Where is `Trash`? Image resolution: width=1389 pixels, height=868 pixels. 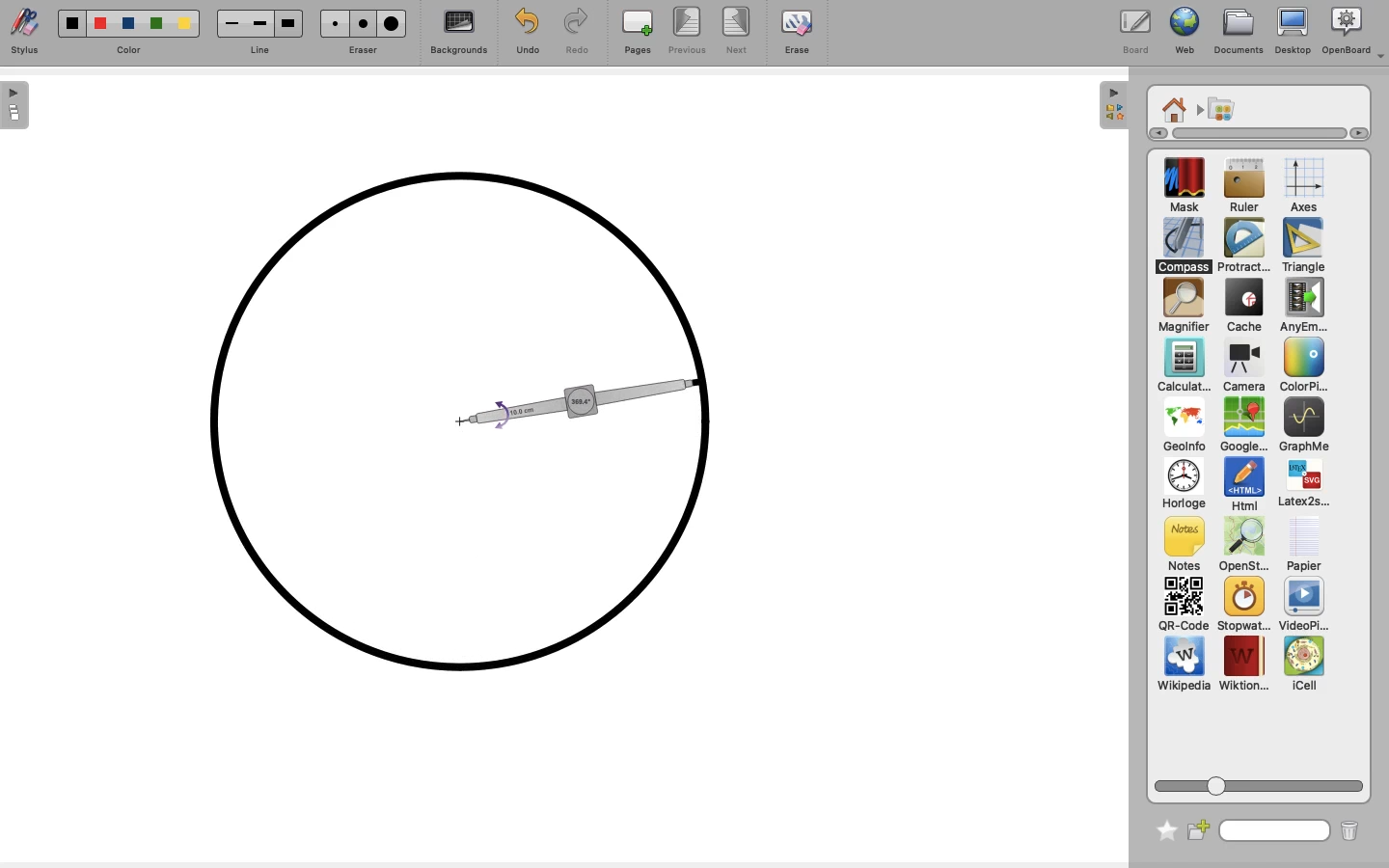
Trash is located at coordinates (1348, 830).